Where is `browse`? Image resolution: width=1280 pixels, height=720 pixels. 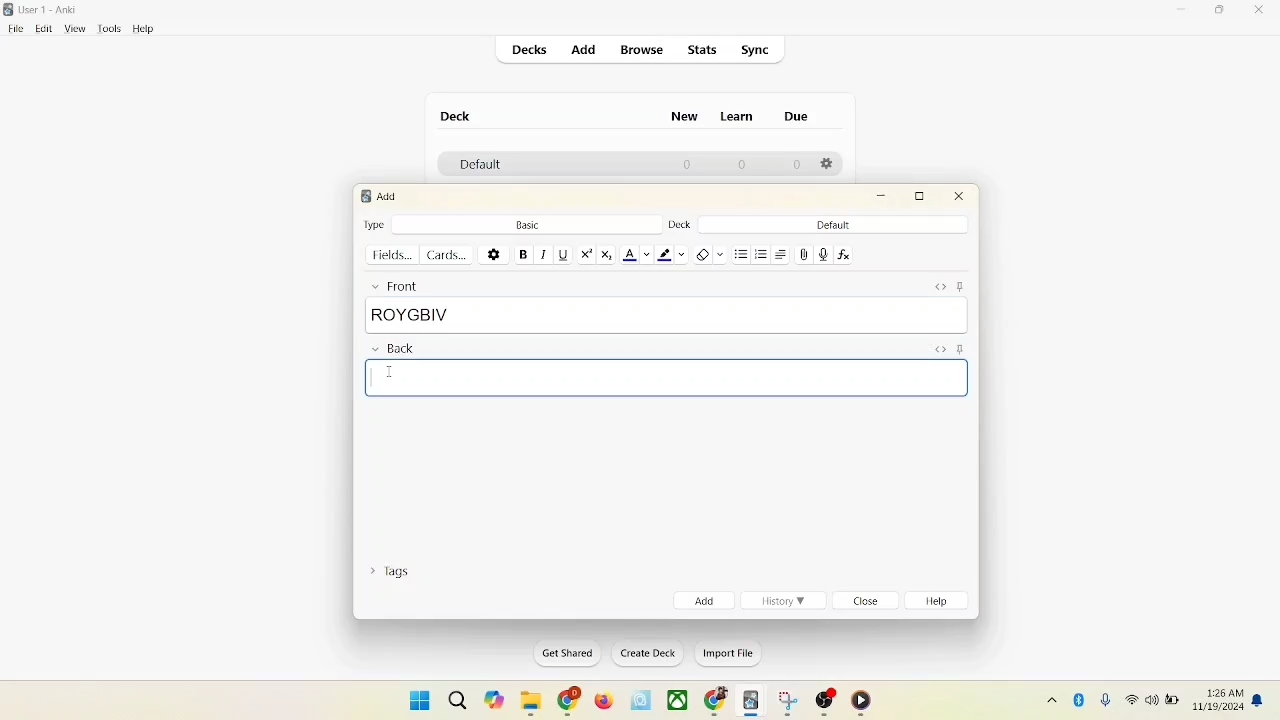
browse is located at coordinates (644, 51).